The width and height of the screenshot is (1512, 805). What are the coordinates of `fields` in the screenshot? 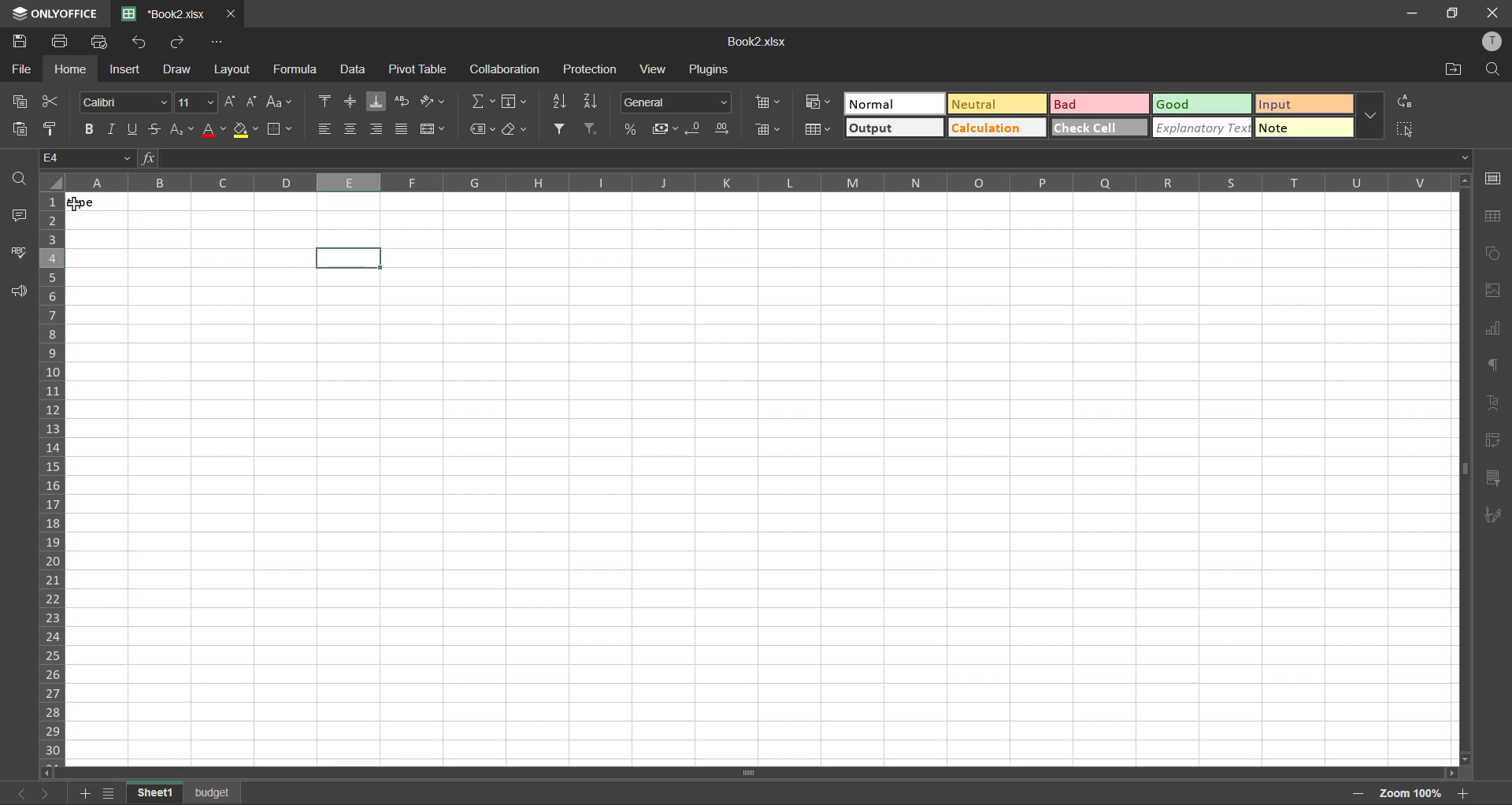 It's located at (515, 101).